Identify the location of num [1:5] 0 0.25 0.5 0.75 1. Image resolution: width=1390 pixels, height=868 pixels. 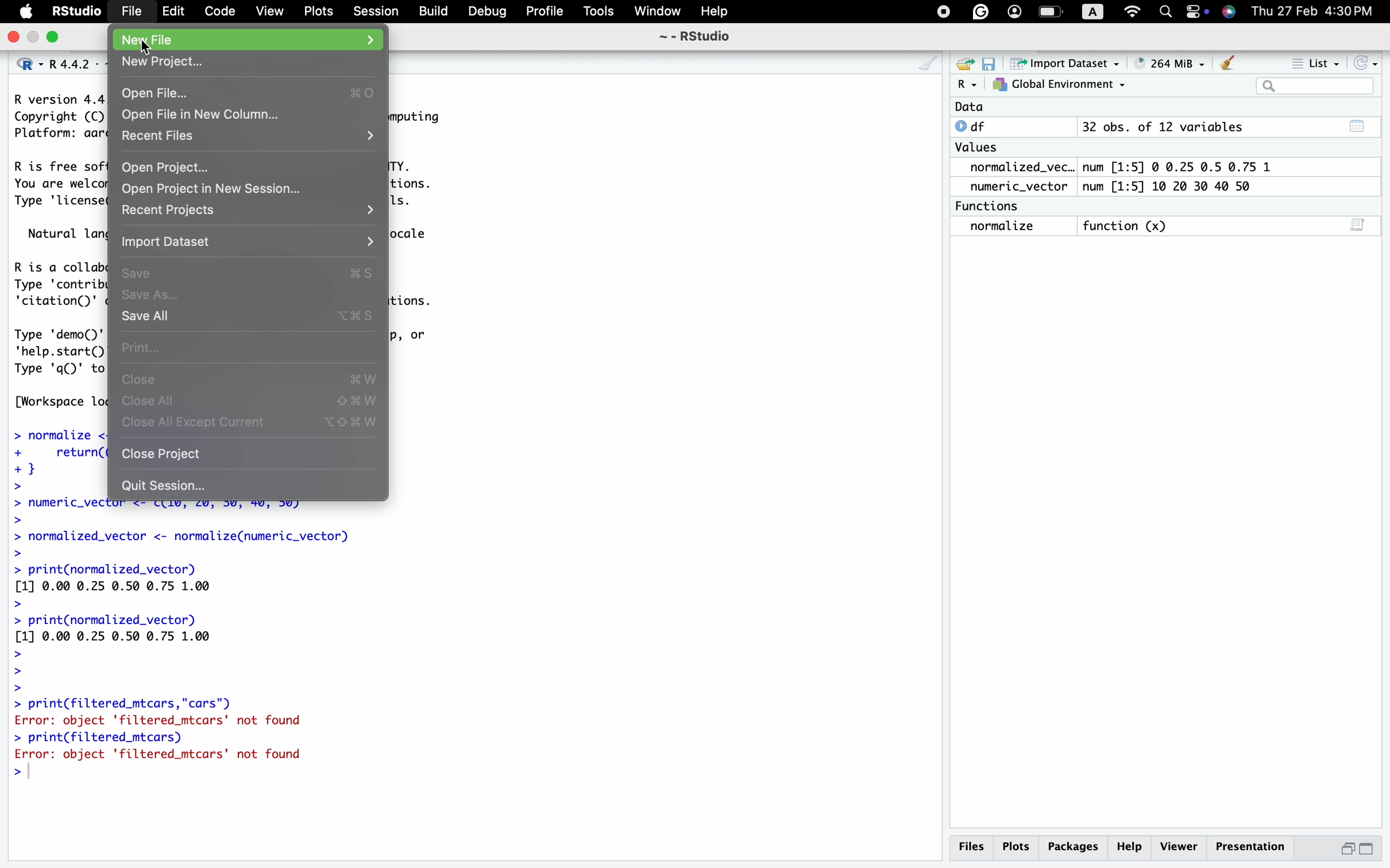
(1175, 165).